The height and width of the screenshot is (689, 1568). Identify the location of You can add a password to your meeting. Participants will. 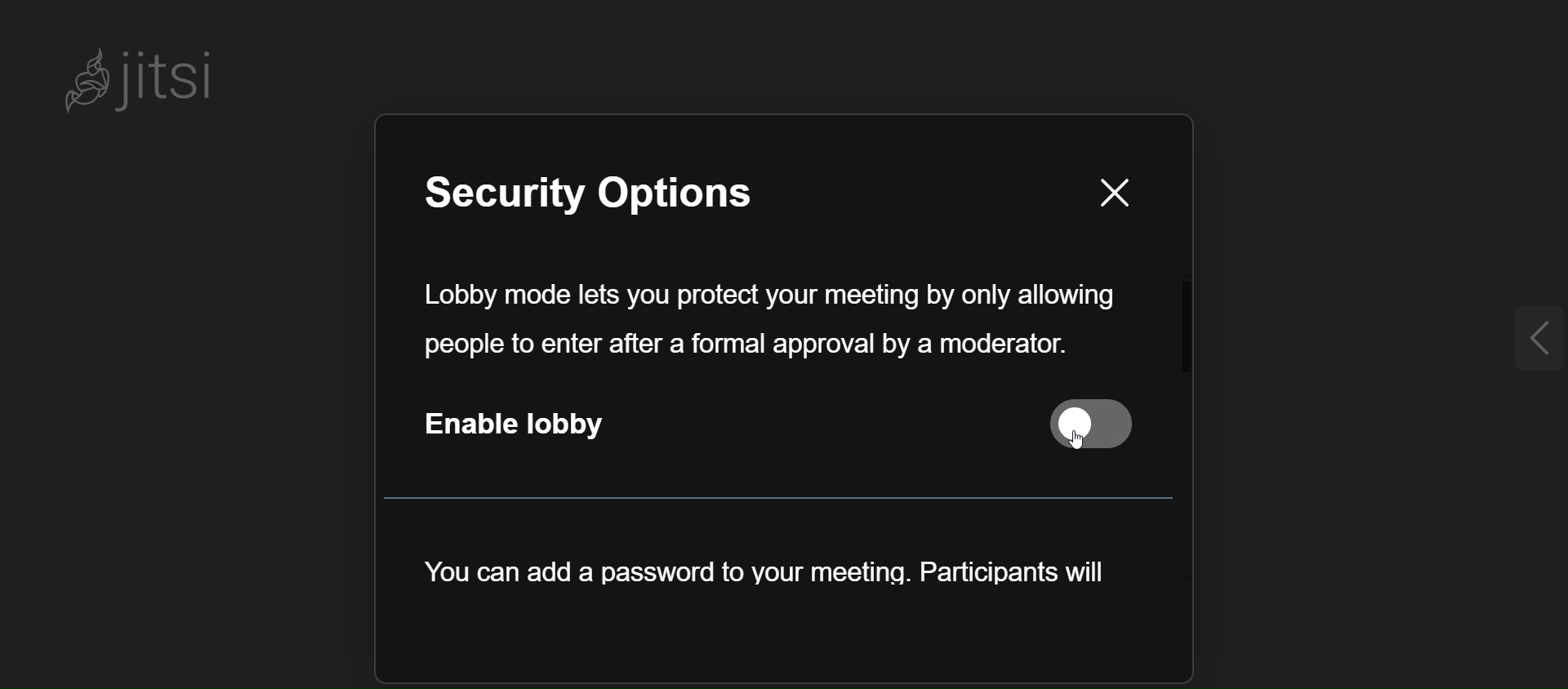
(755, 580).